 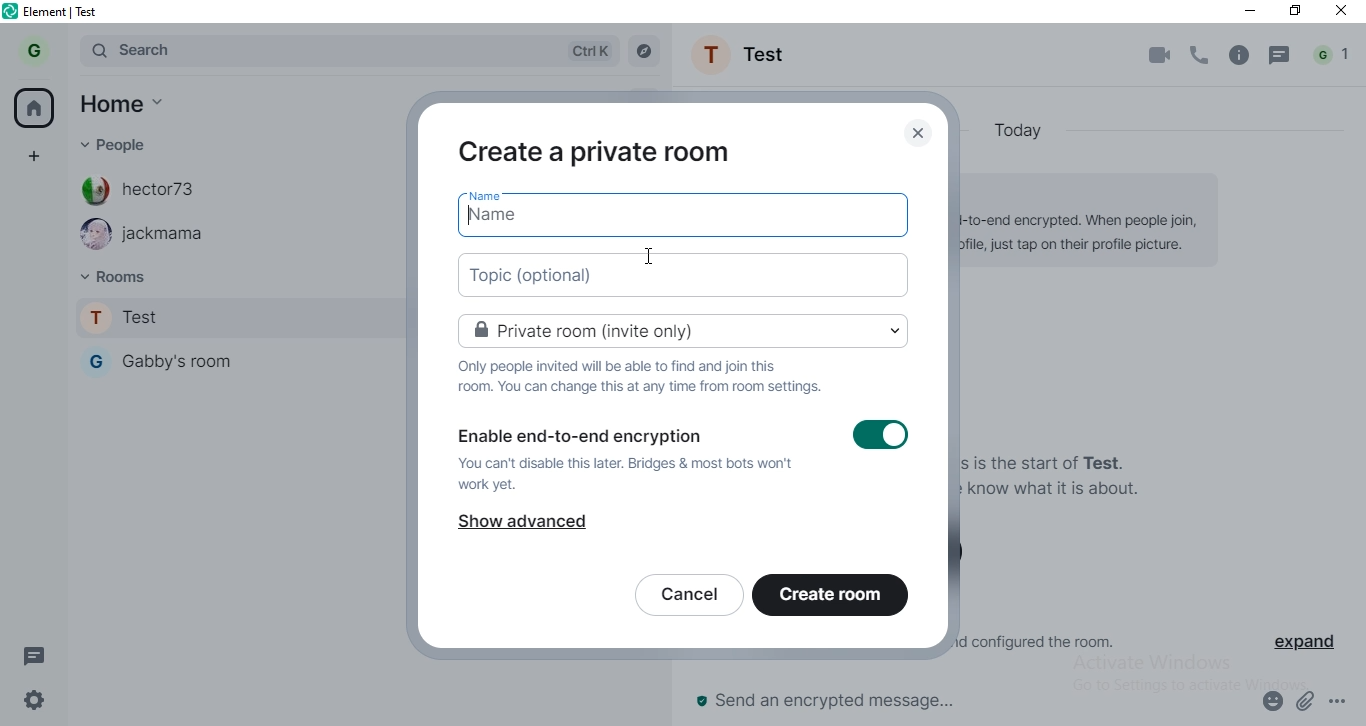 What do you see at coordinates (837, 594) in the screenshot?
I see `create room` at bounding box center [837, 594].